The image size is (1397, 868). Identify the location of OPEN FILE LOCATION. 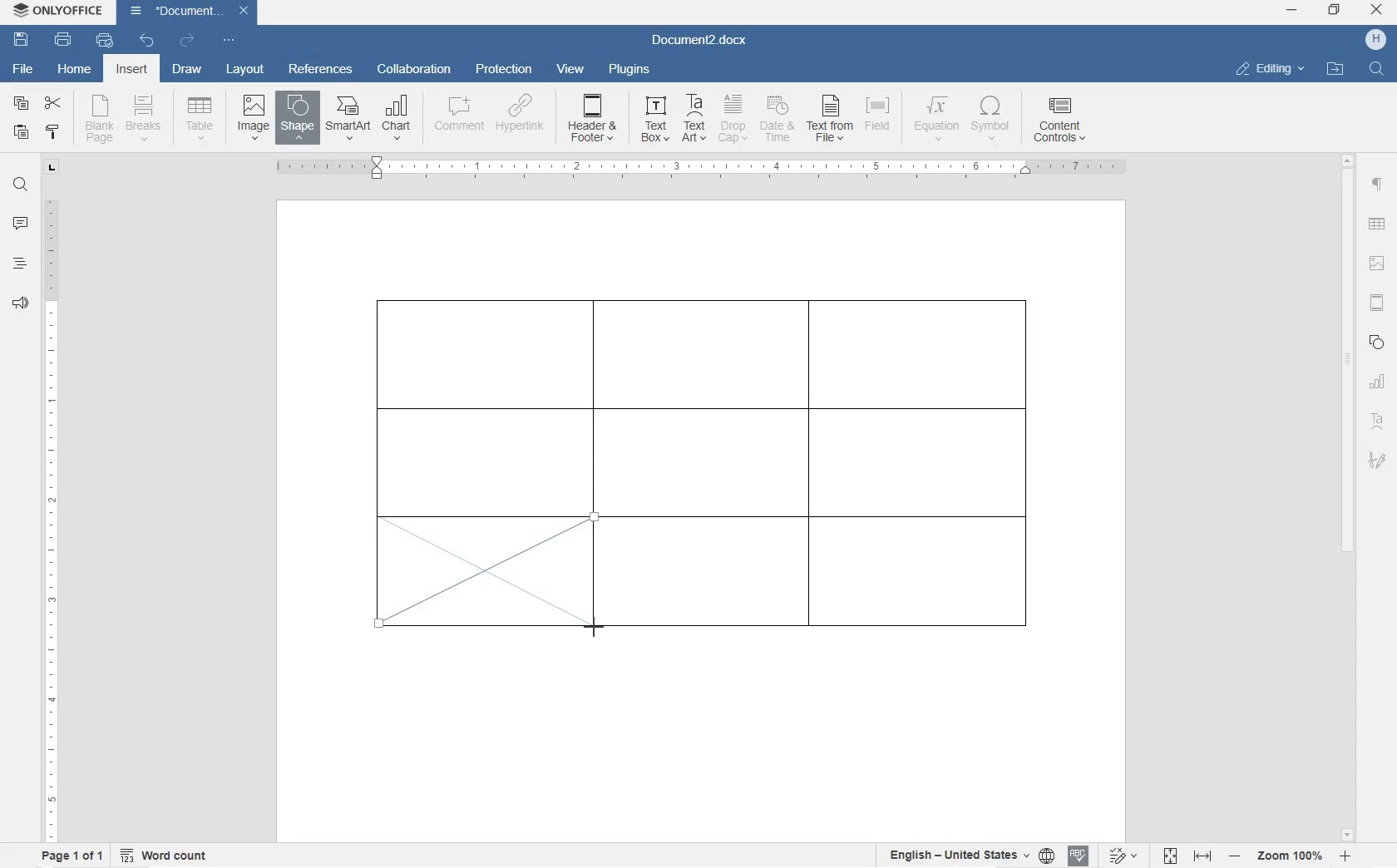
(1337, 70).